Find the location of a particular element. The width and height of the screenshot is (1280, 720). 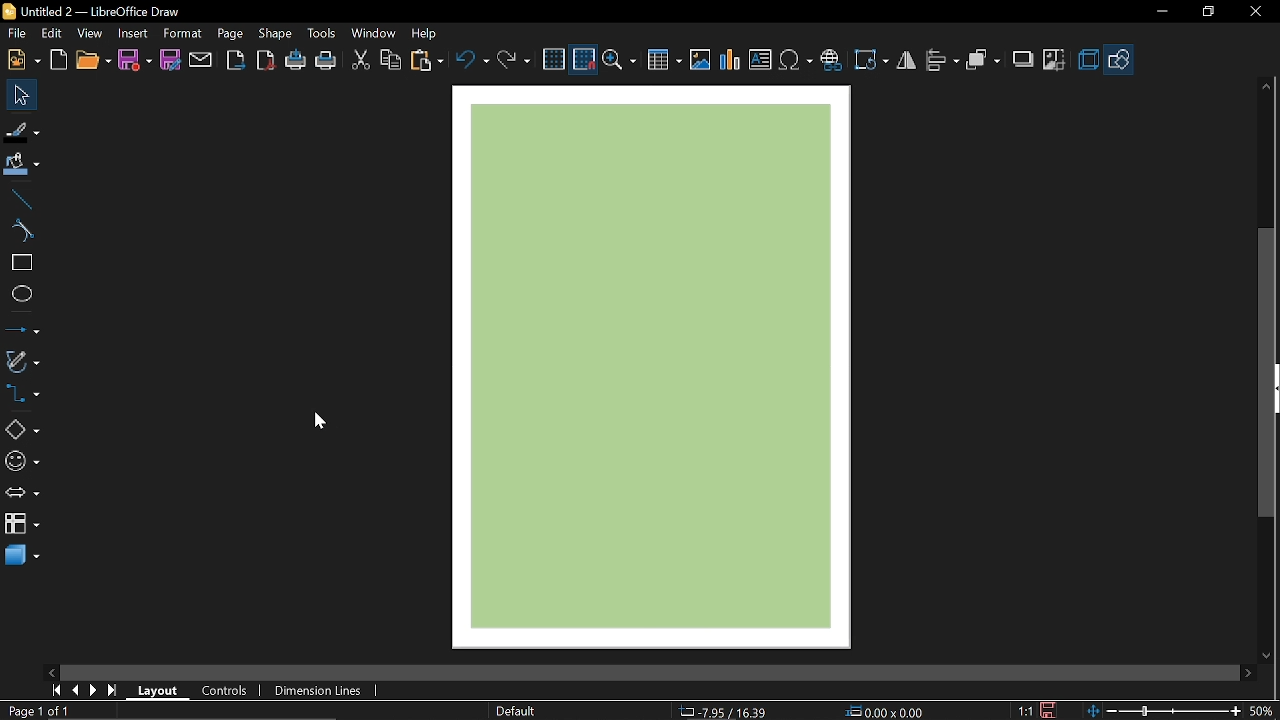

Vertical scrollbar is located at coordinates (1271, 373).